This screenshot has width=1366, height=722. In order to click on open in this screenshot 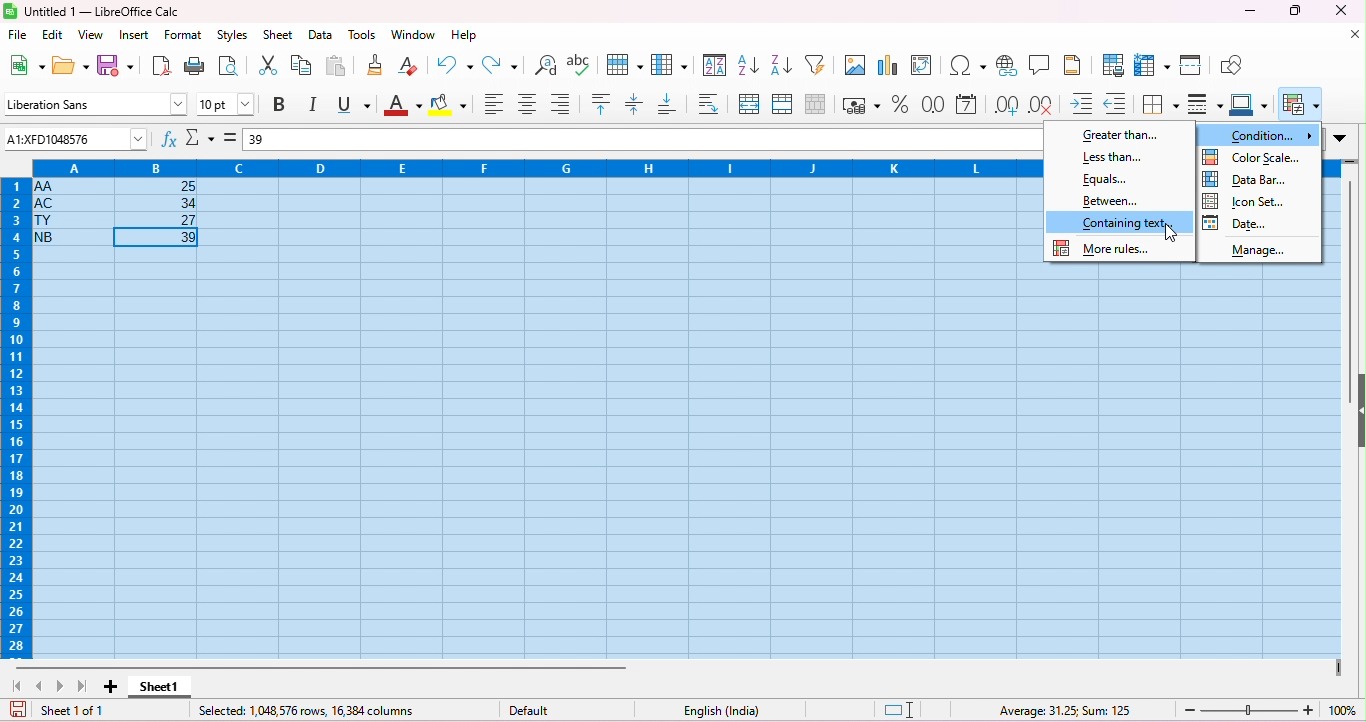, I will do `click(71, 64)`.